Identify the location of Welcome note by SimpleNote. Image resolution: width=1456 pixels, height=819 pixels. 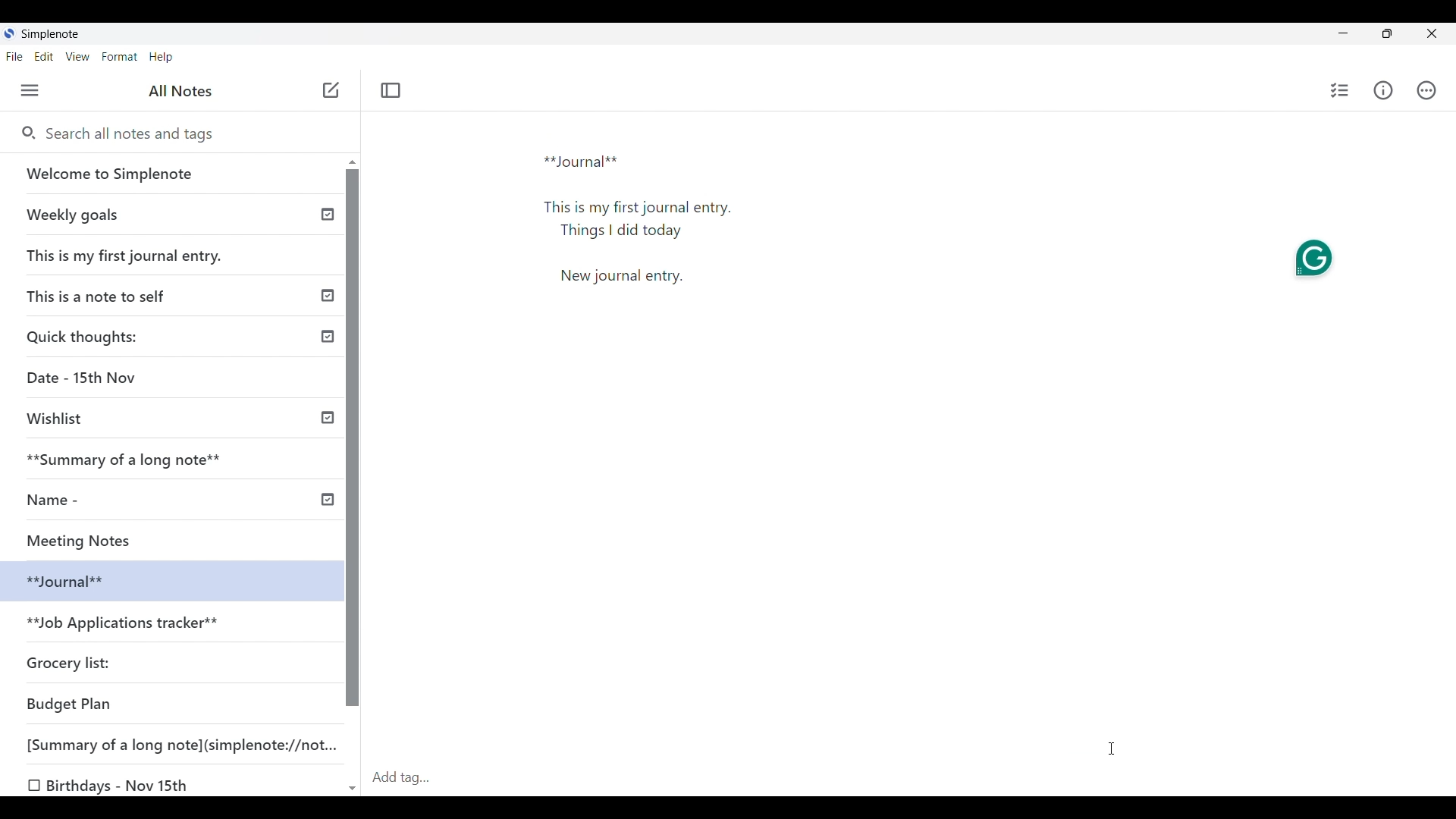
(173, 173).